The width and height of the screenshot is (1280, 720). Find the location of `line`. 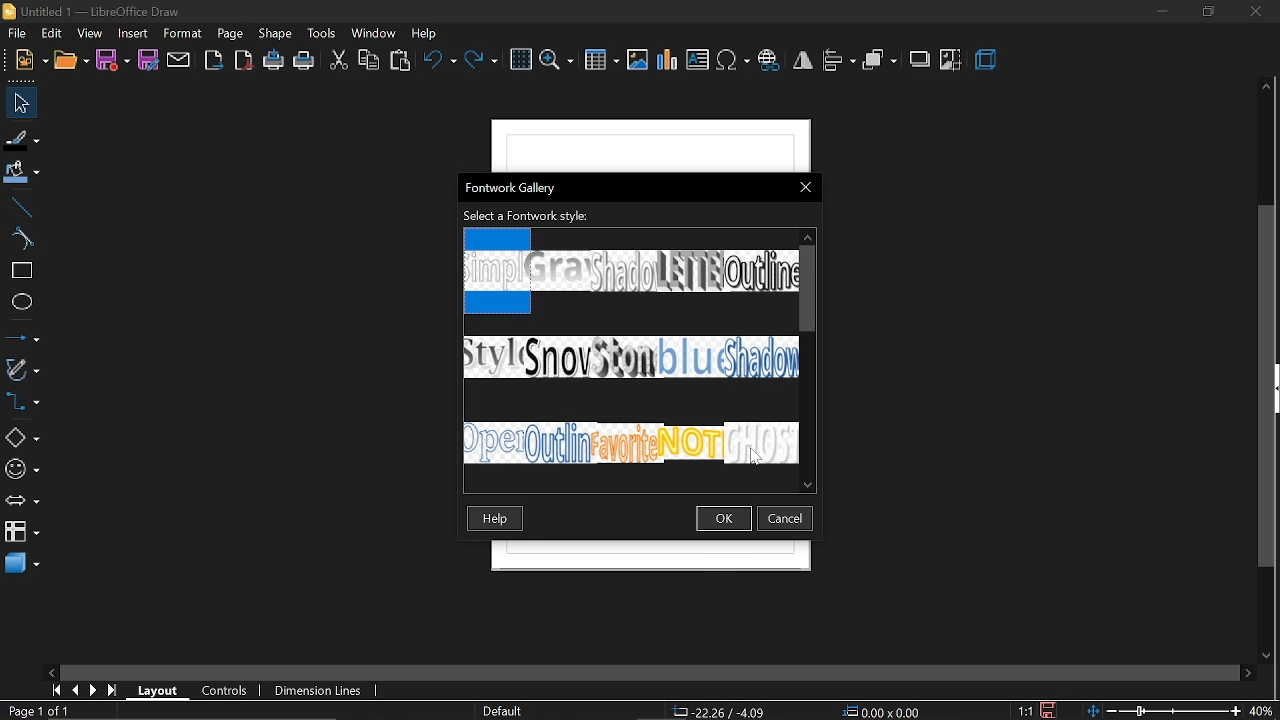

line is located at coordinates (18, 206).